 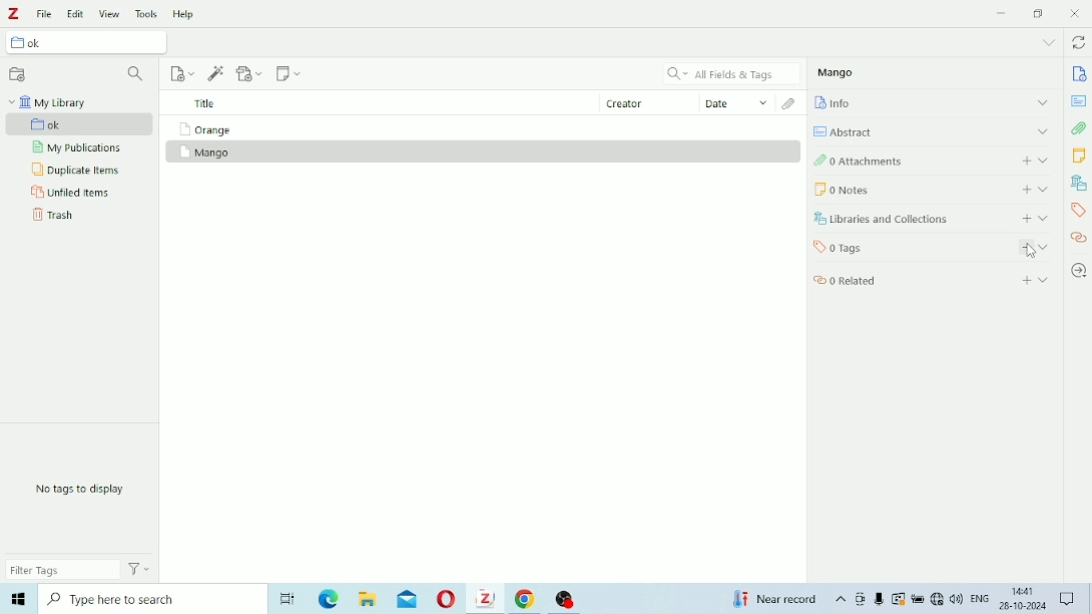 I want to click on Logo, so click(x=14, y=15).